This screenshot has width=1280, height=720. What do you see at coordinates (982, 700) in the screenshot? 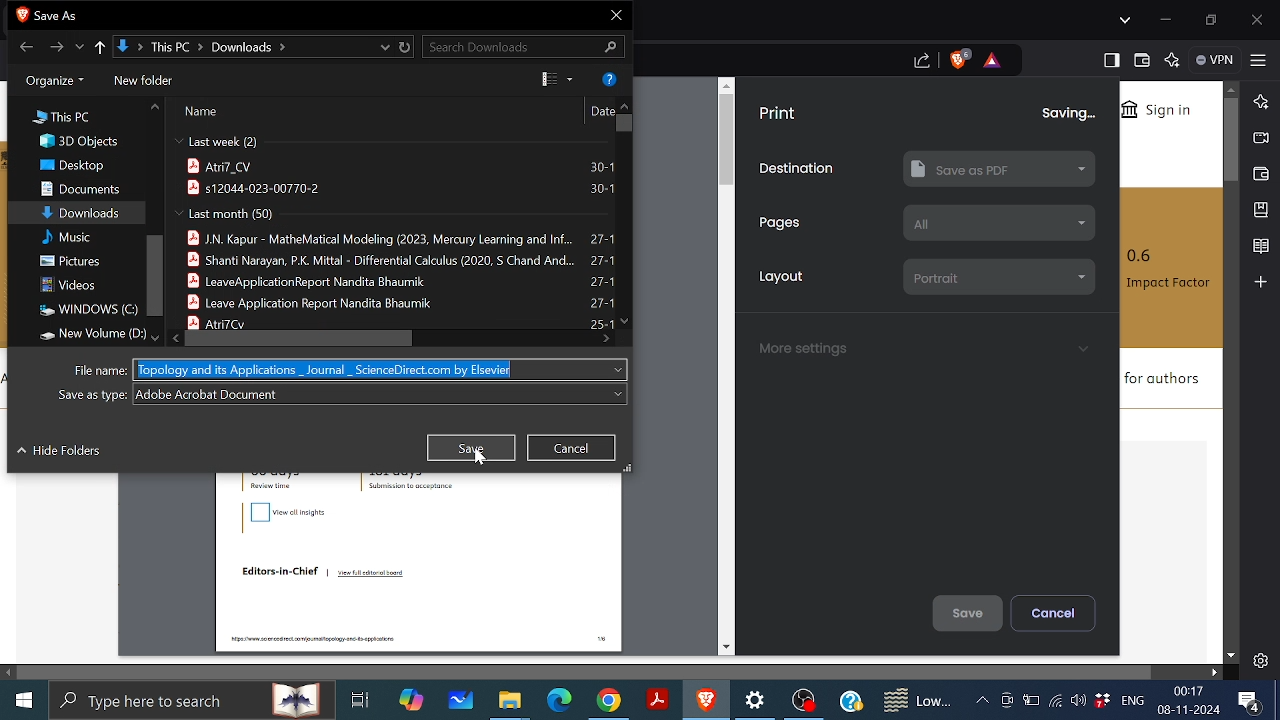
I see `Show hidden icons` at bounding box center [982, 700].